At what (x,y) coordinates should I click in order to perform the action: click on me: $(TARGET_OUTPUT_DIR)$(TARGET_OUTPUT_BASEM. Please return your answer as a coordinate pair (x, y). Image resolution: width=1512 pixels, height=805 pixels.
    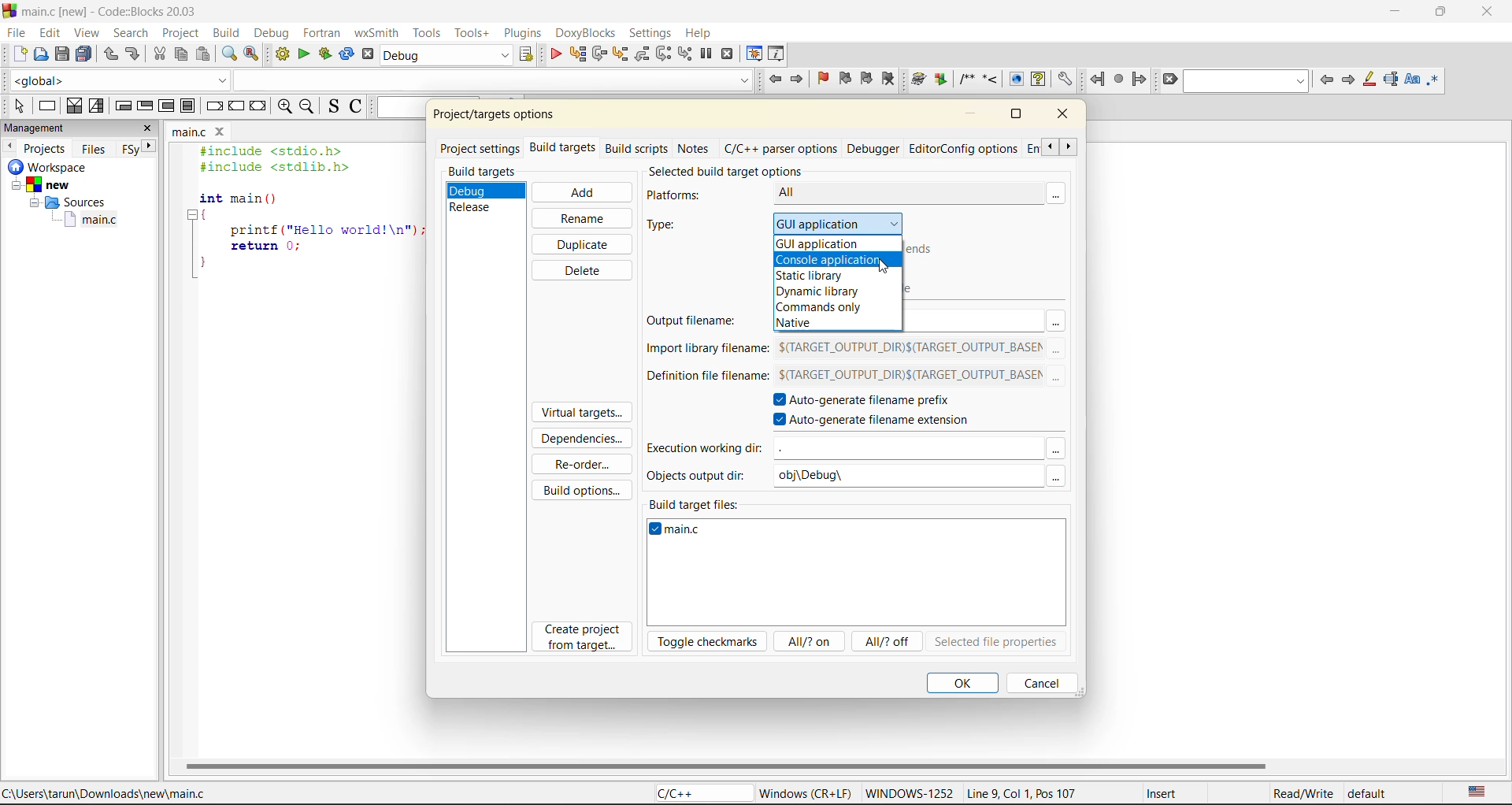
    Looking at the image, I should click on (909, 349).